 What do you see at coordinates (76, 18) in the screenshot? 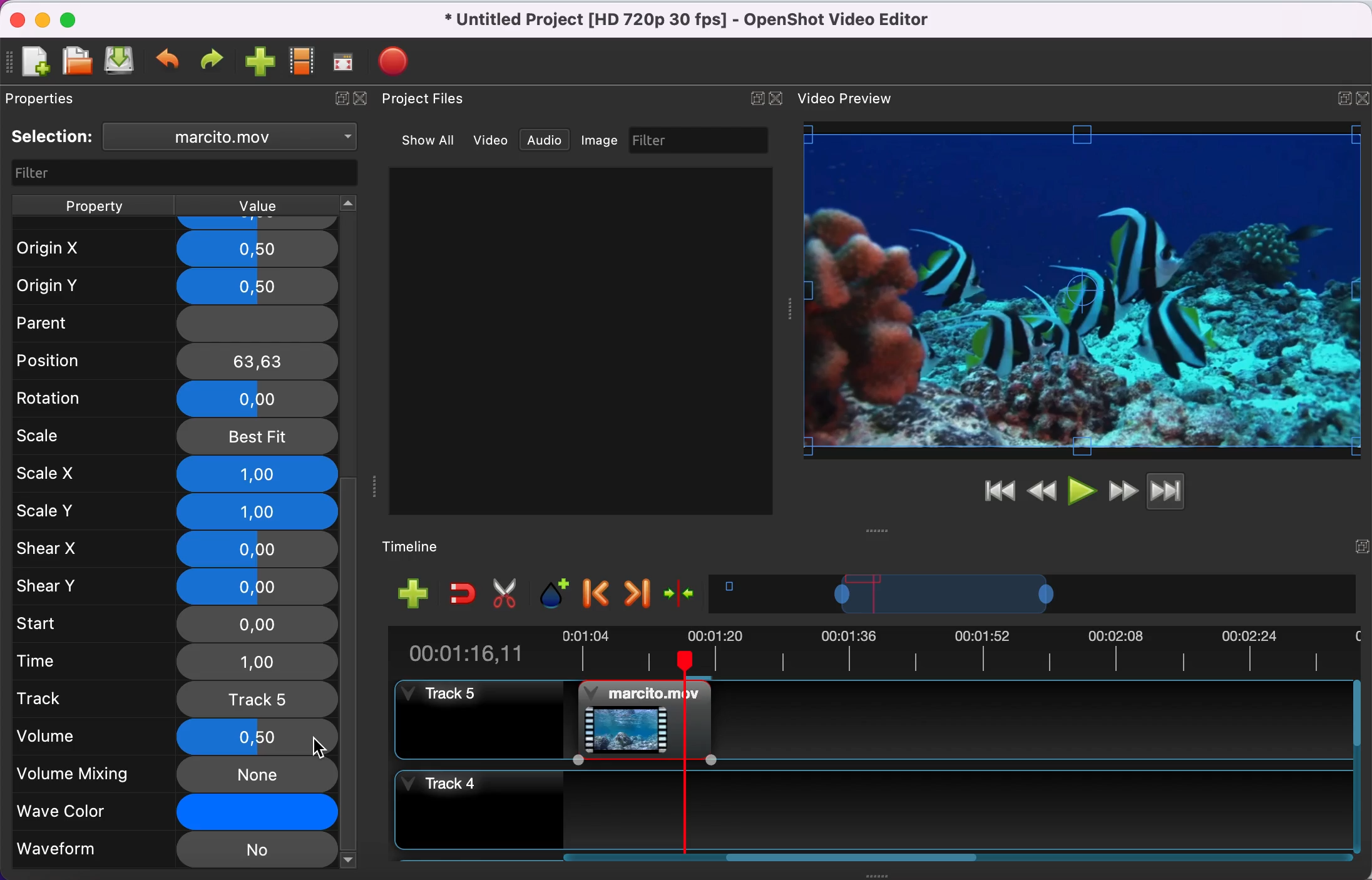
I see `maximize` at bounding box center [76, 18].